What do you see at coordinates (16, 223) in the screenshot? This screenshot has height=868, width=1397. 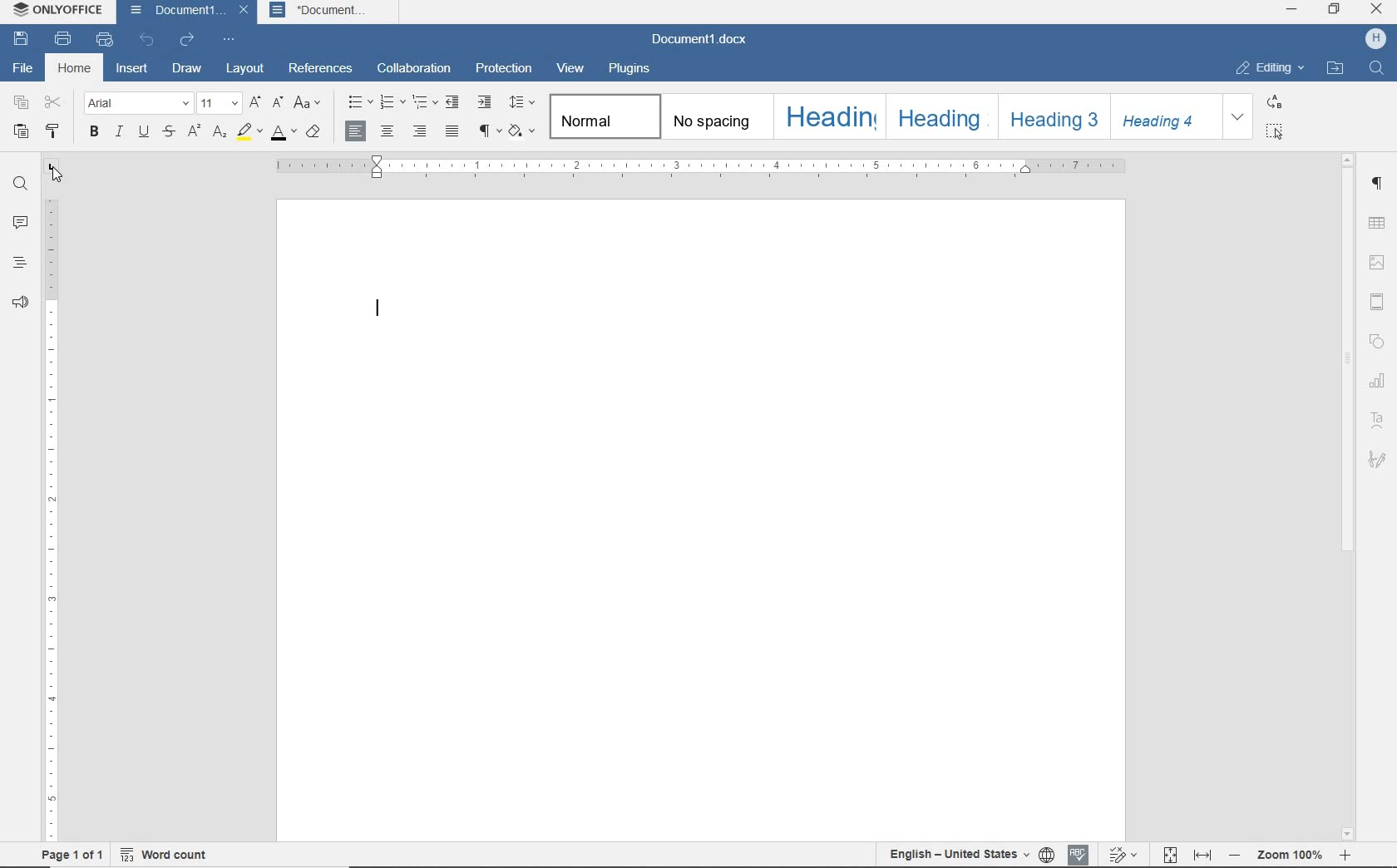 I see `COMMENTS` at bounding box center [16, 223].